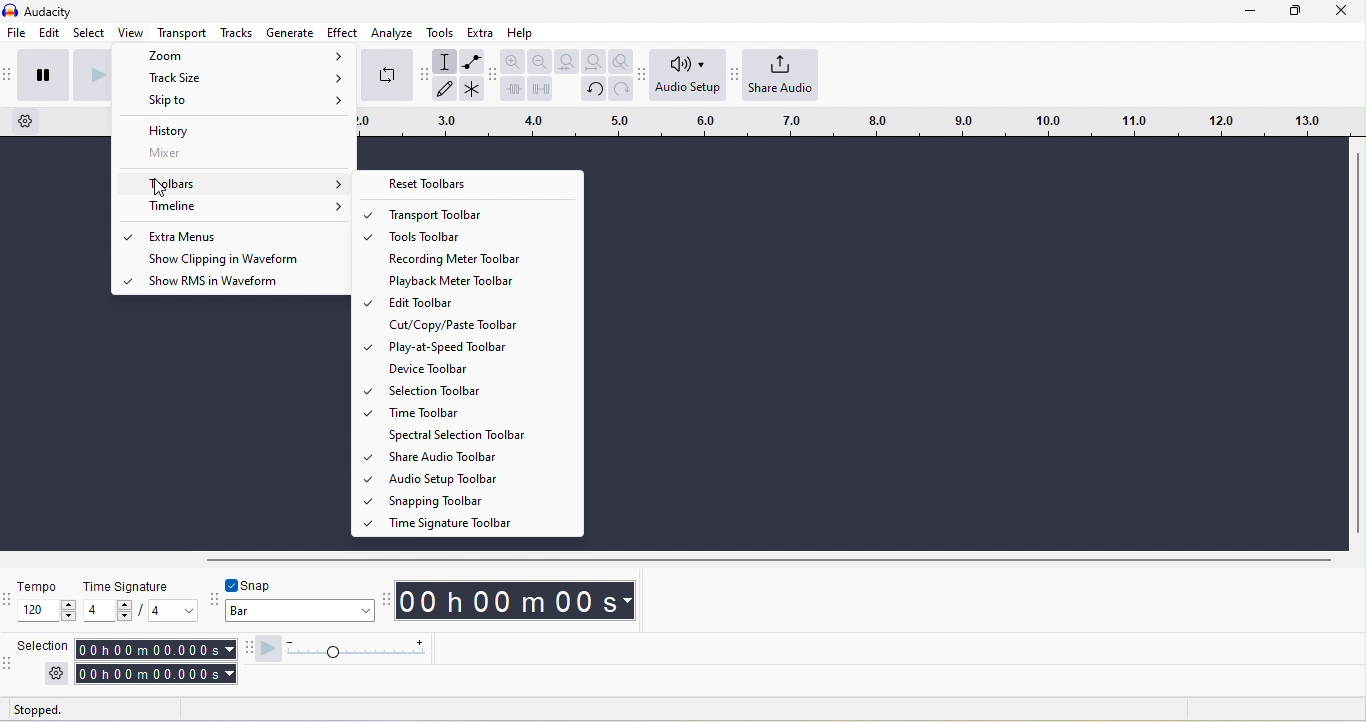  I want to click on Share audio toolbar, so click(478, 456).